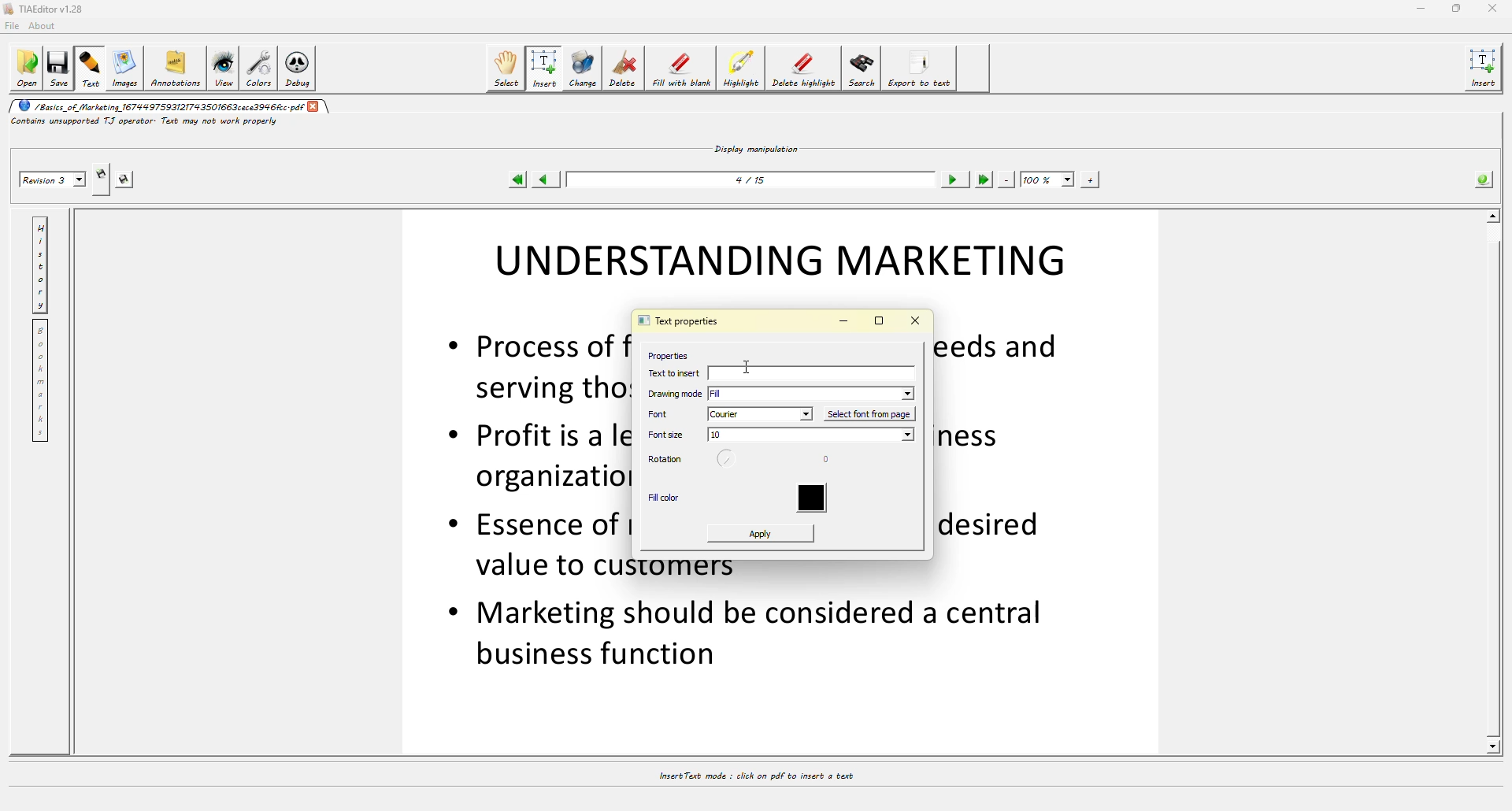  What do you see at coordinates (518, 180) in the screenshot?
I see `first page` at bounding box center [518, 180].